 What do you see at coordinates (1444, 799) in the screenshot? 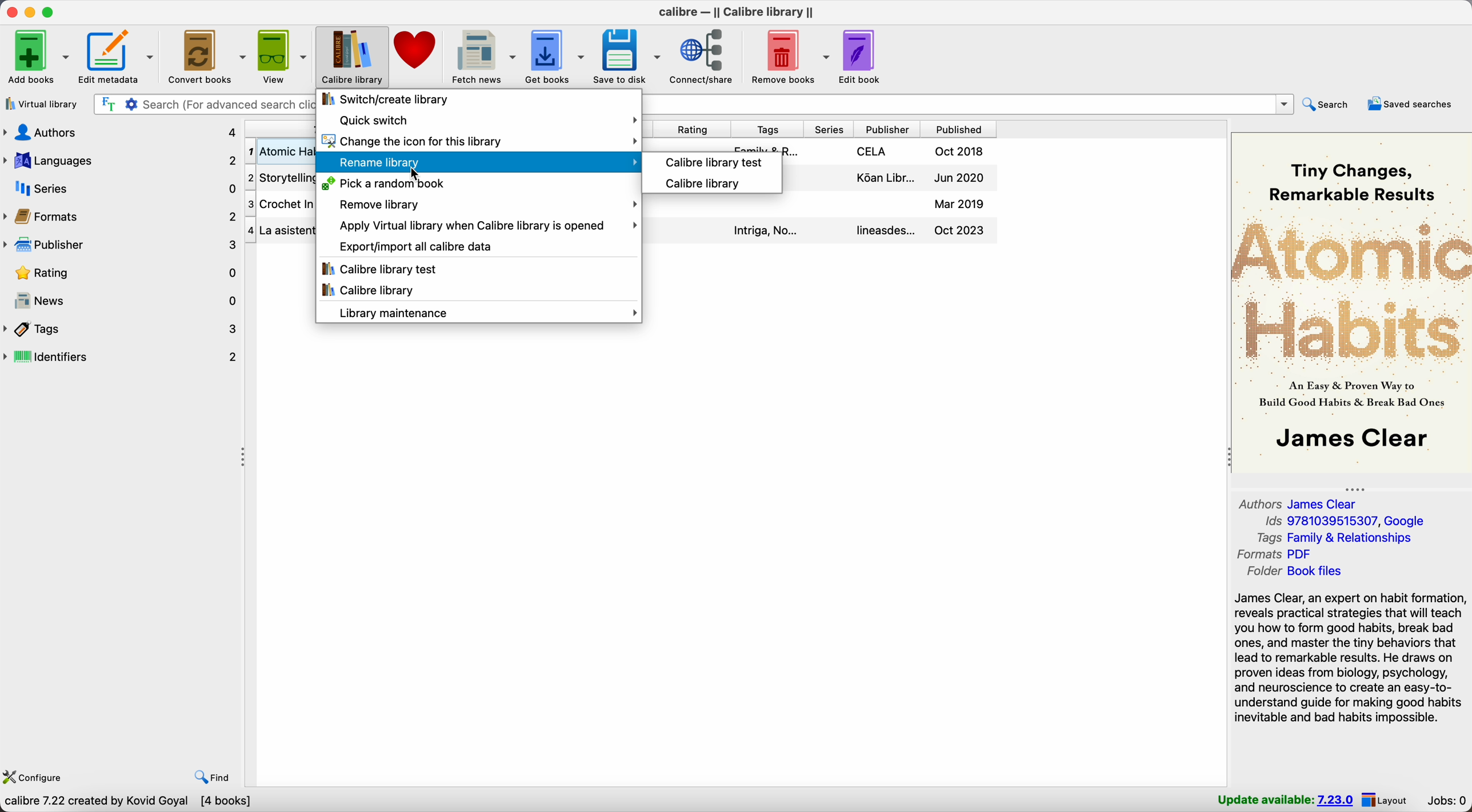
I see `jobs: 0` at bounding box center [1444, 799].